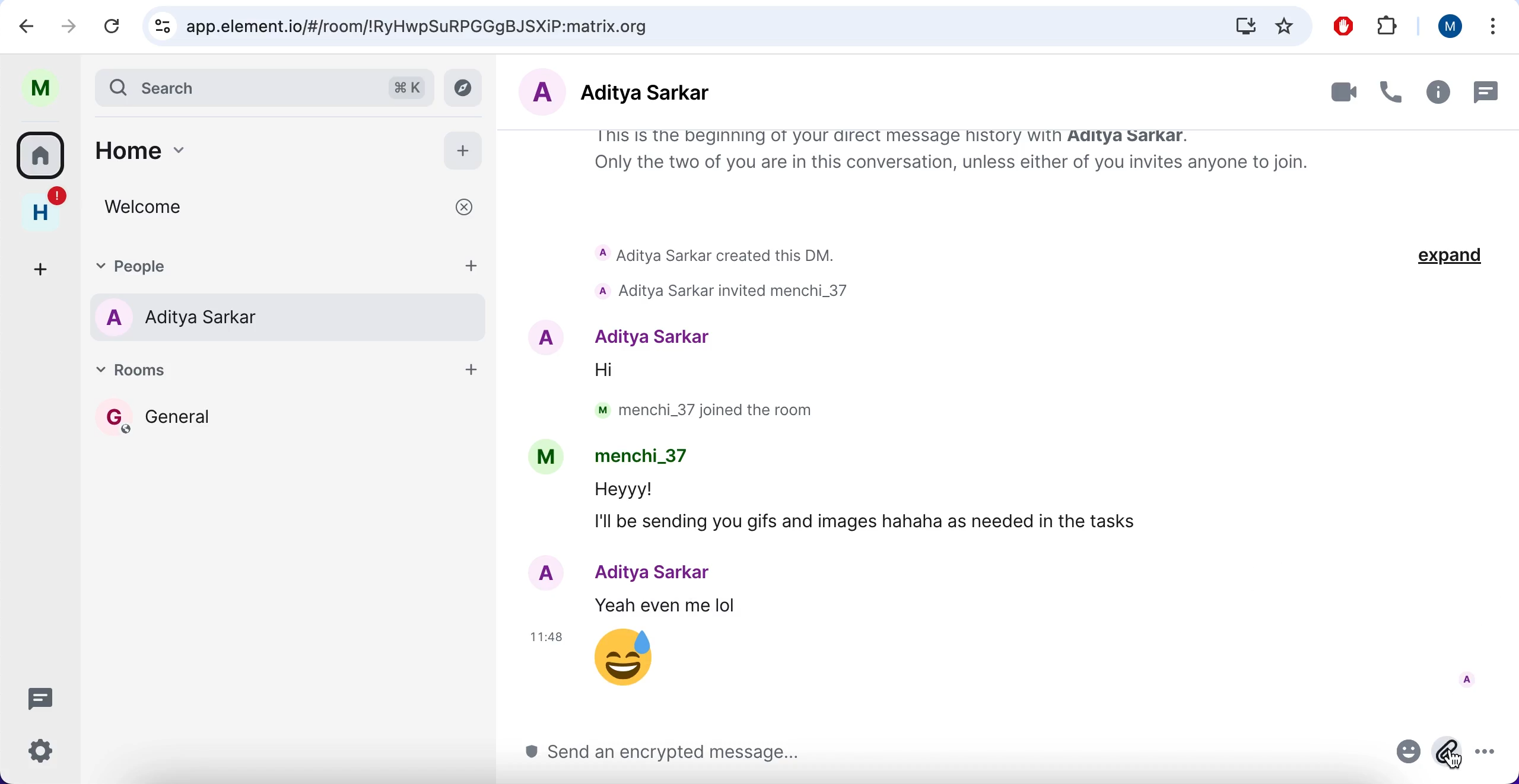 The image size is (1519, 784). Describe the element at coordinates (266, 85) in the screenshot. I see `search` at that location.